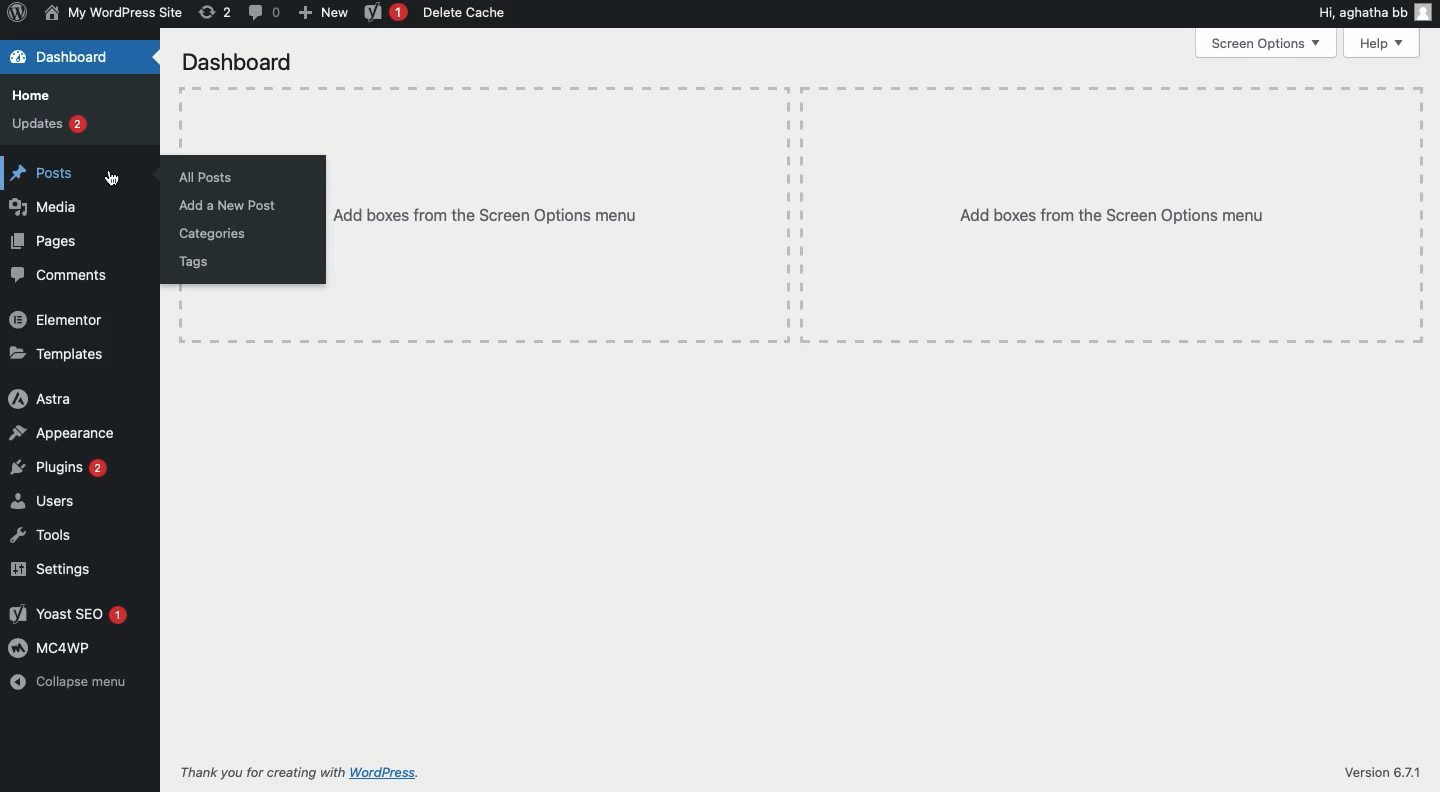 Image resolution: width=1440 pixels, height=792 pixels. Describe the element at coordinates (1386, 43) in the screenshot. I see `Help` at that location.